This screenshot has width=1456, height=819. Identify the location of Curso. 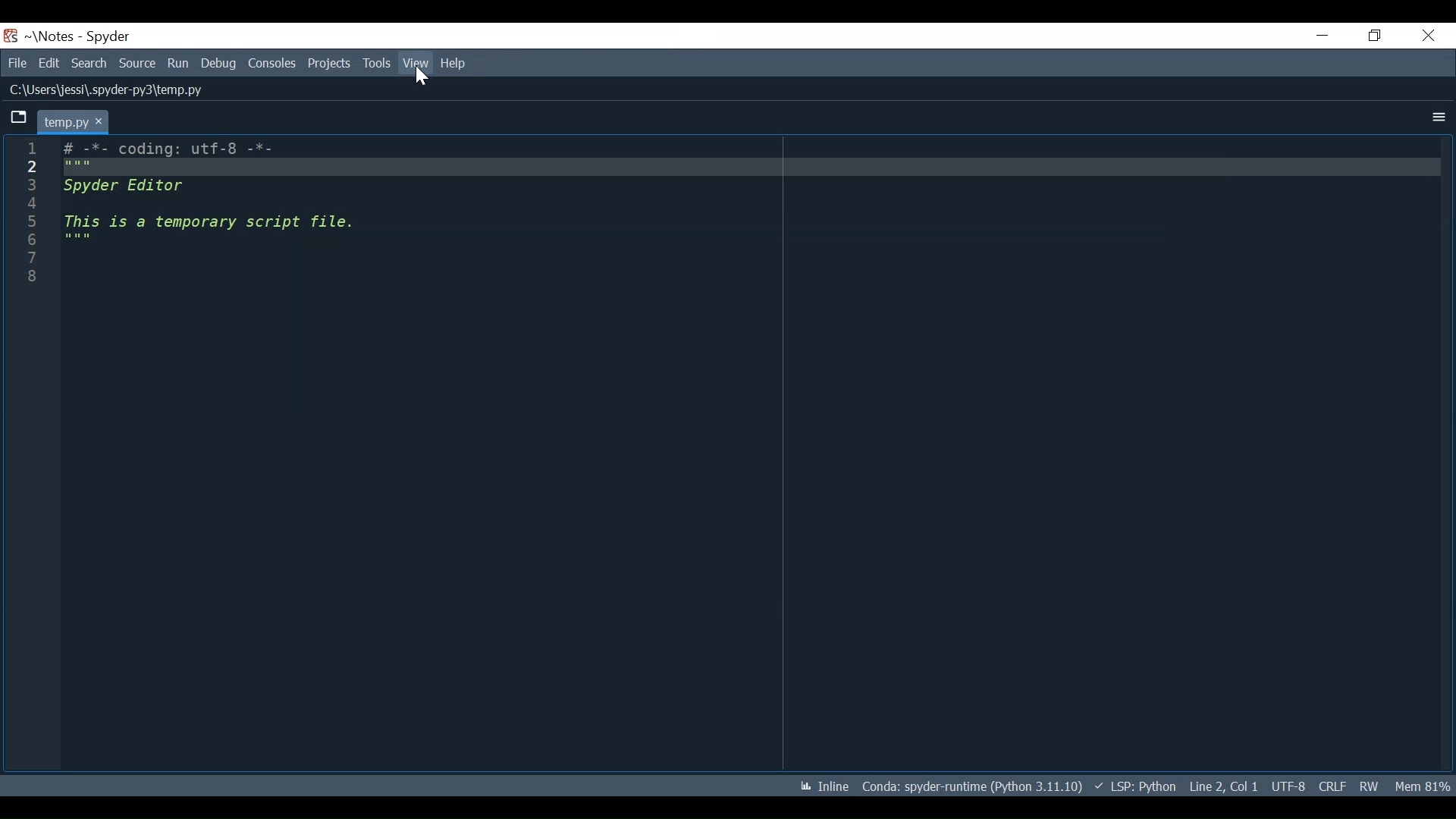
(1288, 787).